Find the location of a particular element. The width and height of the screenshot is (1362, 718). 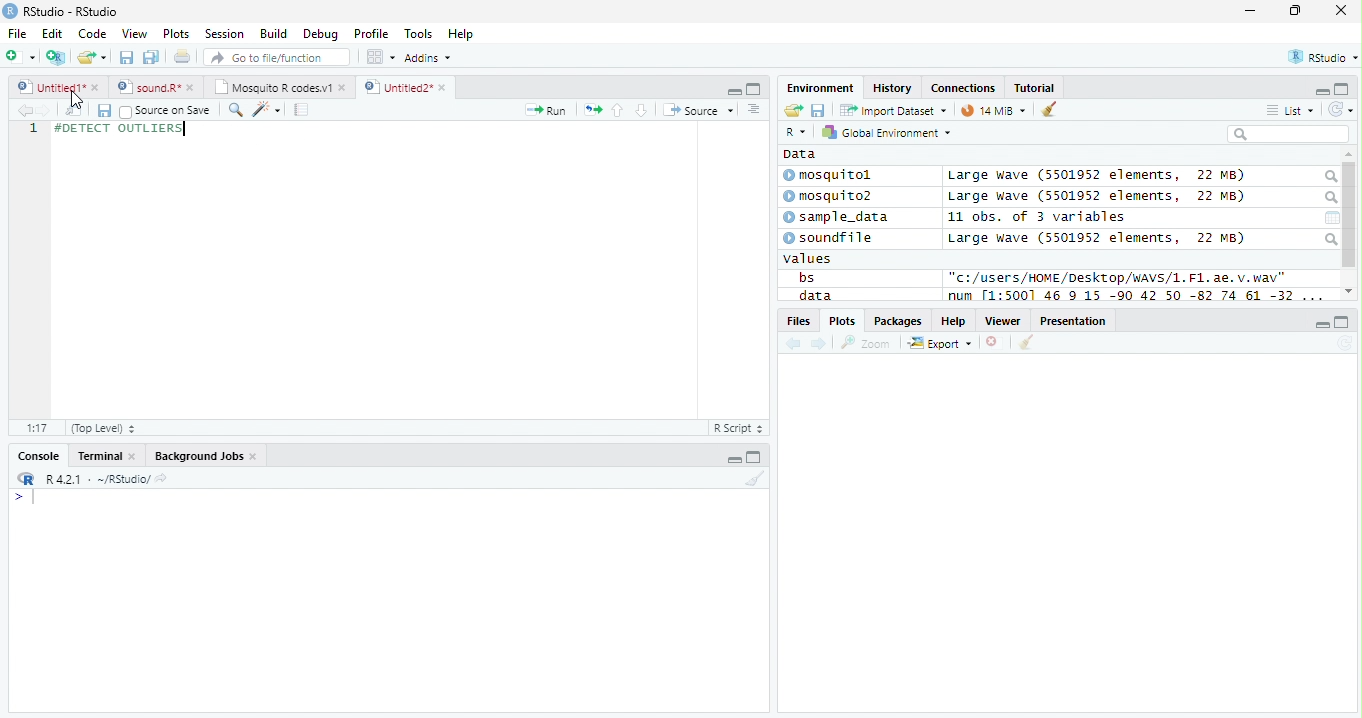

data is located at coordinates (813, 295).